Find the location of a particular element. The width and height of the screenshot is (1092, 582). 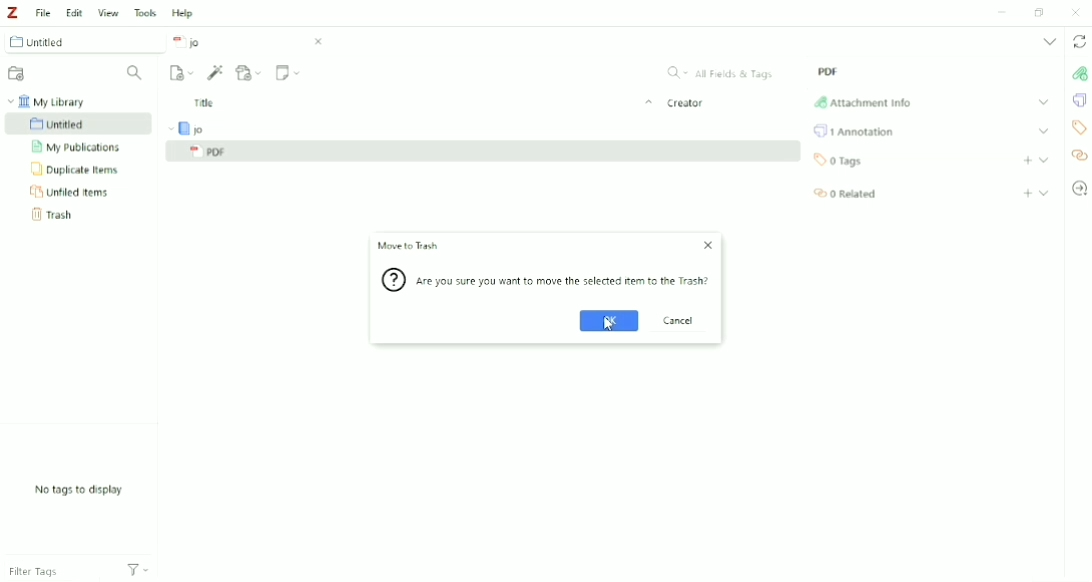

My Library is located at coordinates (48, 100).